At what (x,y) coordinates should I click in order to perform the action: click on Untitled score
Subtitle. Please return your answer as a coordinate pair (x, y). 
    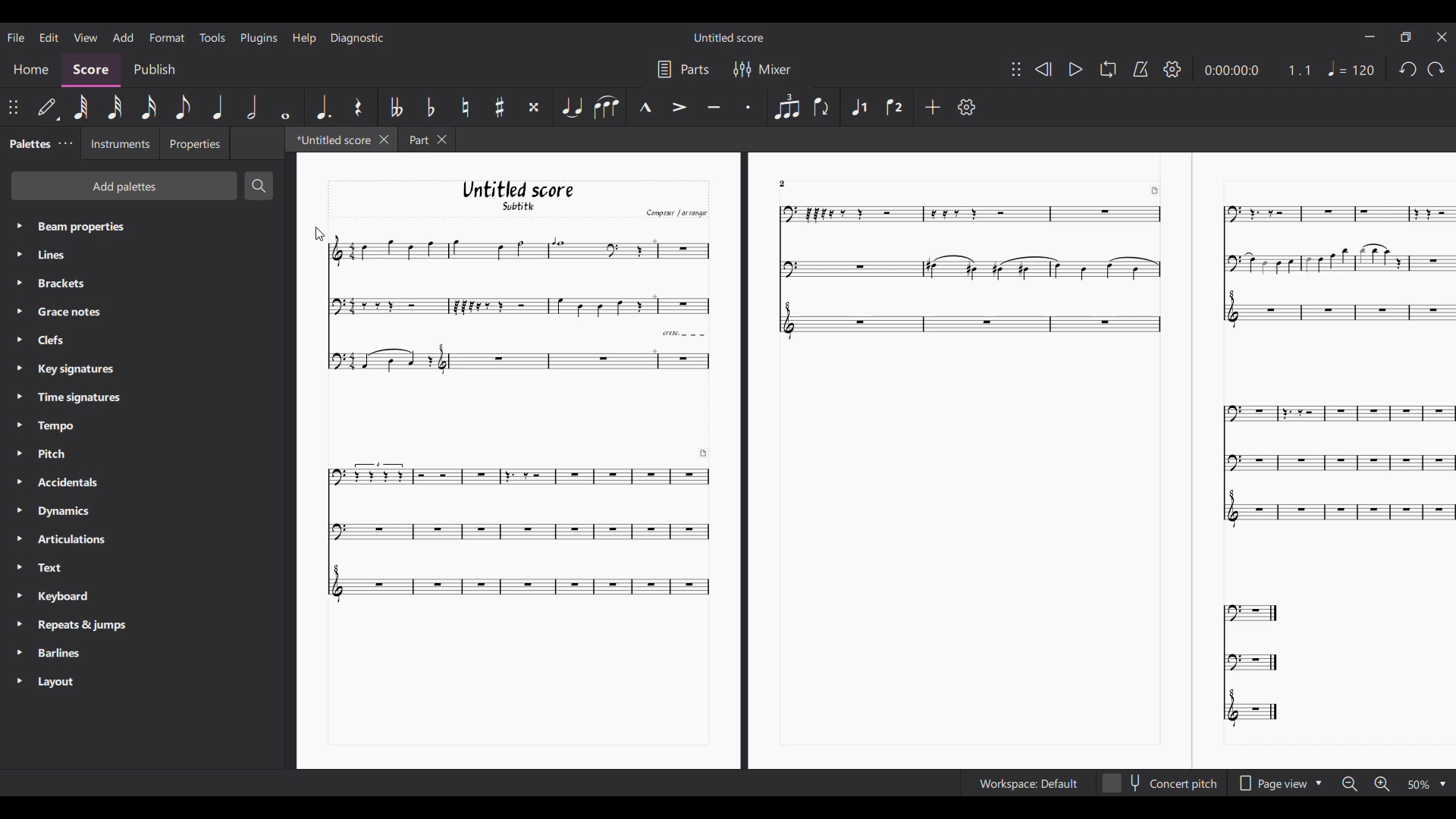
    Looking at the image, I should click on (516, 196).